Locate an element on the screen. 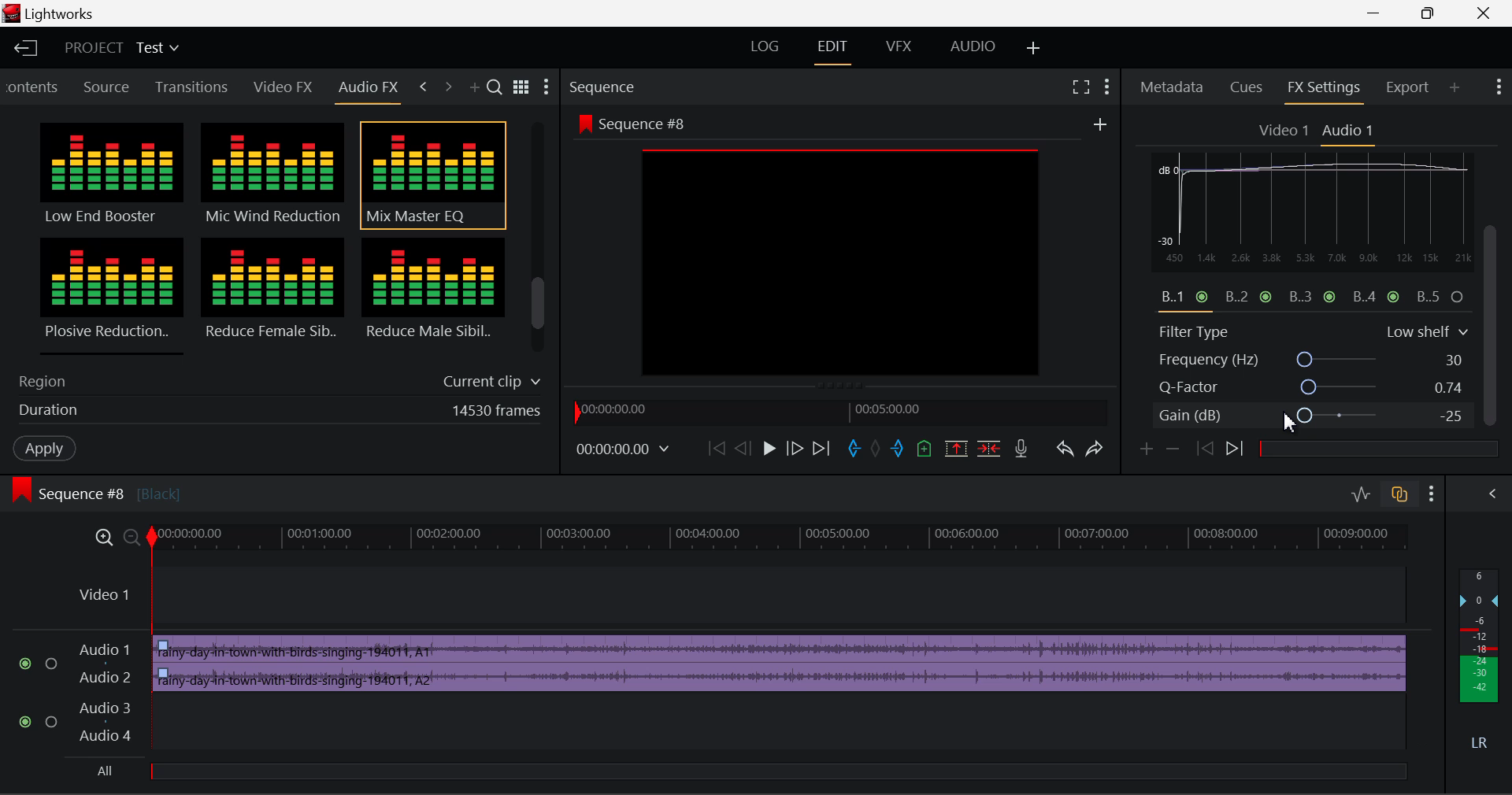  Timeline Zoom Out is located at coordinates (132, 539).